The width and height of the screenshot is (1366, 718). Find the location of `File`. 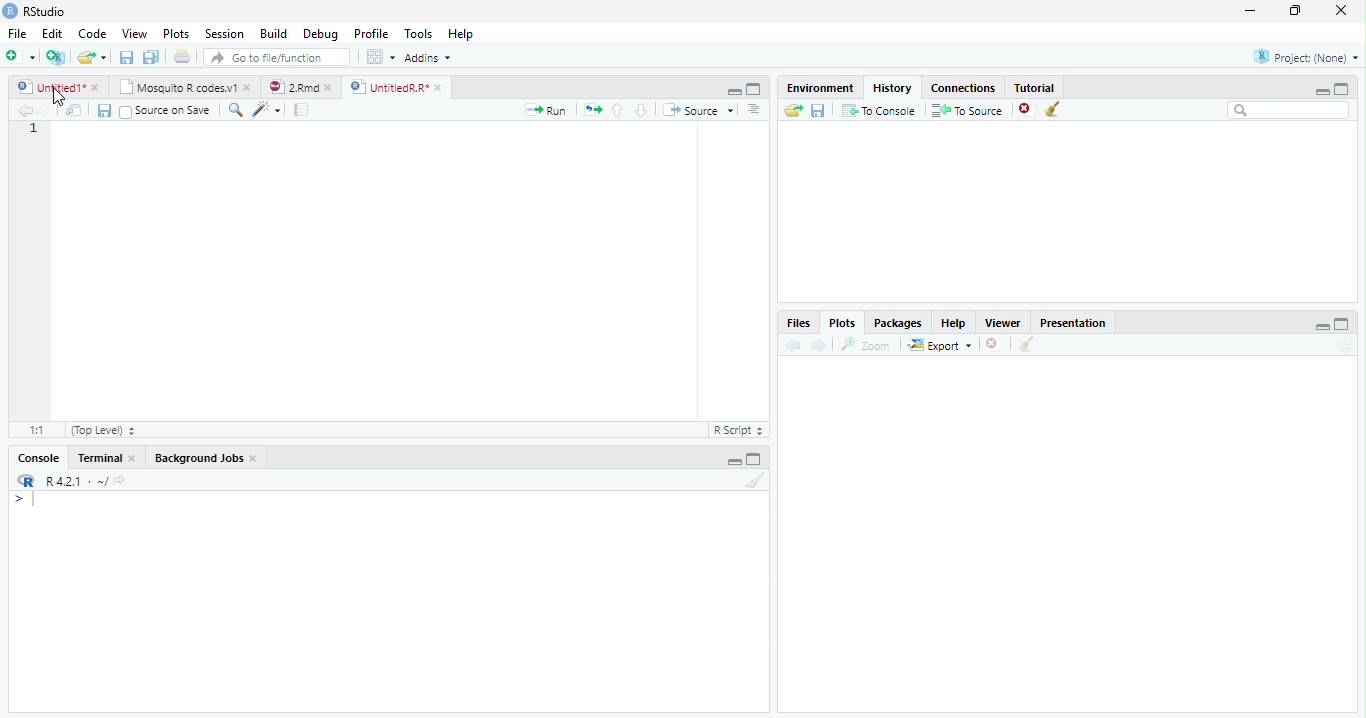

File is located at coordinates (15, 31).